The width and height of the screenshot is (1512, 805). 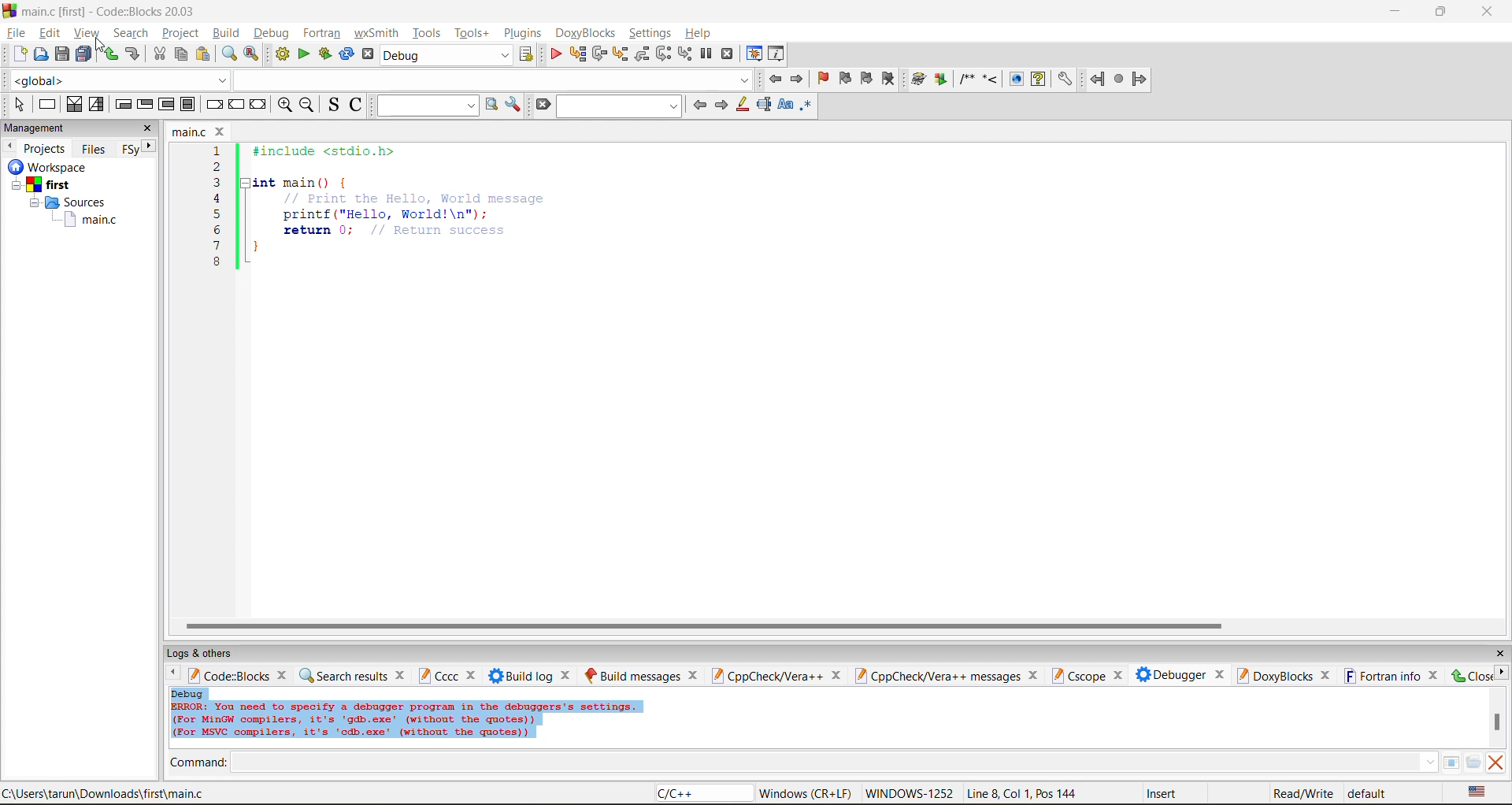 What do you see at coordinates (135, 54) in the screenshot?
I see `redo` at bounding box center [135, 54].